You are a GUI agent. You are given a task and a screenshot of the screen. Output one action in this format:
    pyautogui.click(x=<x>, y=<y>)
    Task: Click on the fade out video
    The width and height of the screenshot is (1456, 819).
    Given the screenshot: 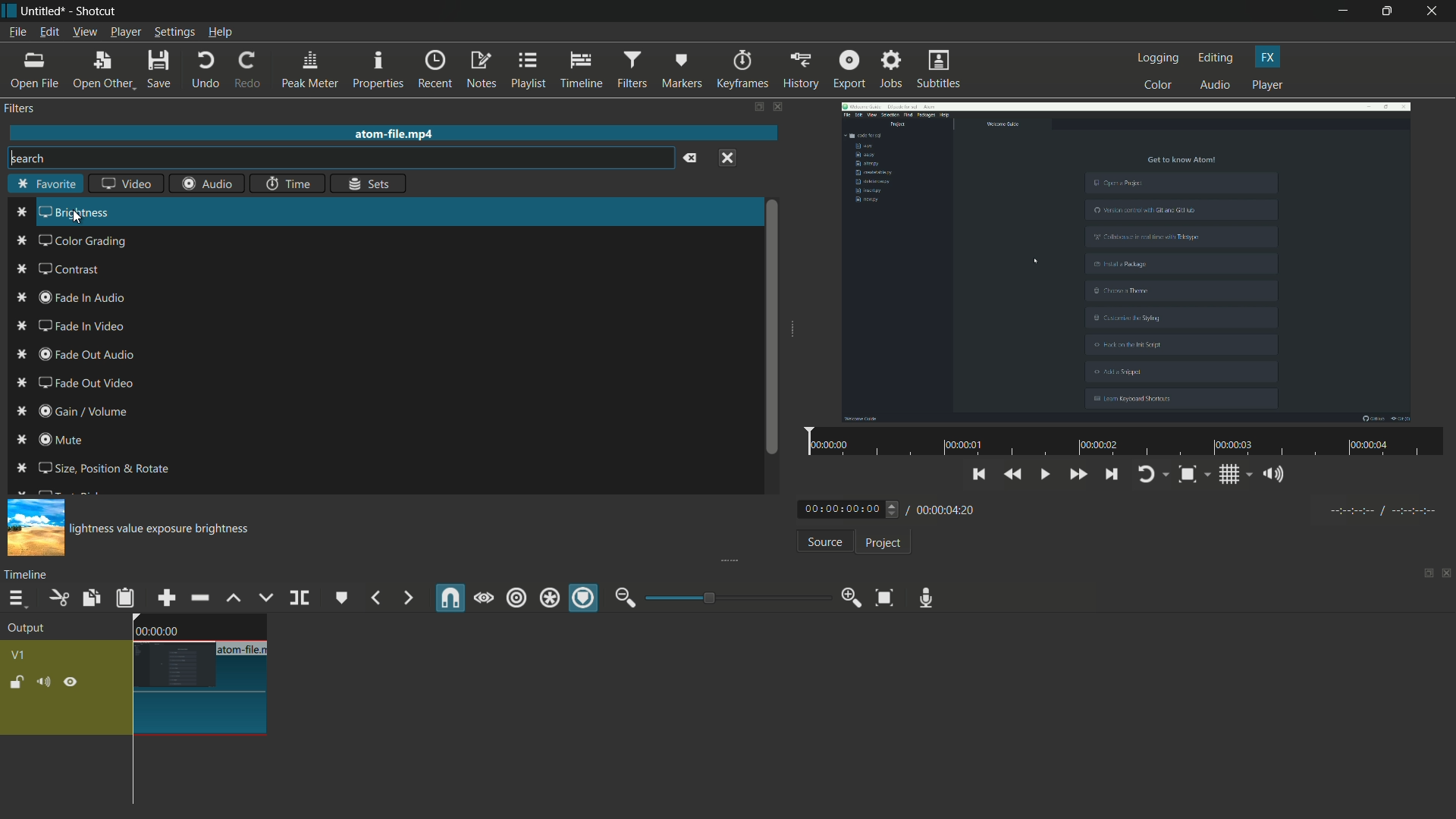 What is the action you would take?
    pyautogui.click(x=86, y=382)
    